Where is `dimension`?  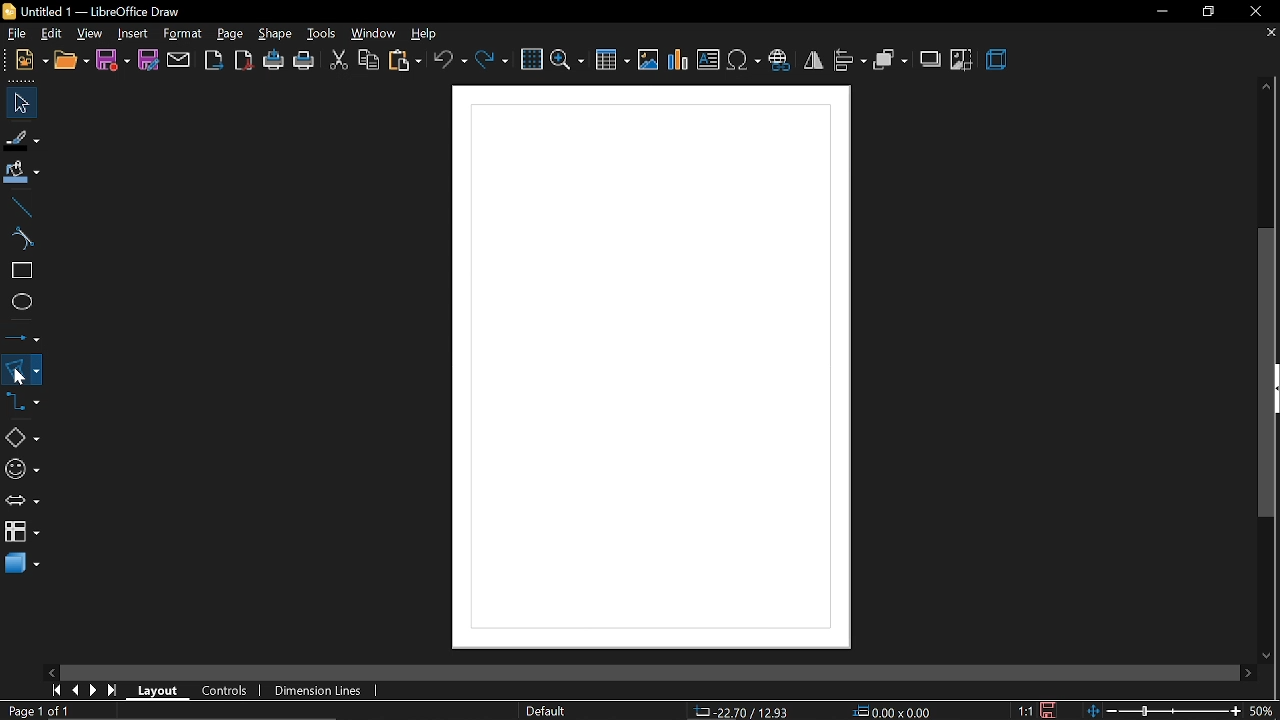 dimension is located at coordinates (320, 688).